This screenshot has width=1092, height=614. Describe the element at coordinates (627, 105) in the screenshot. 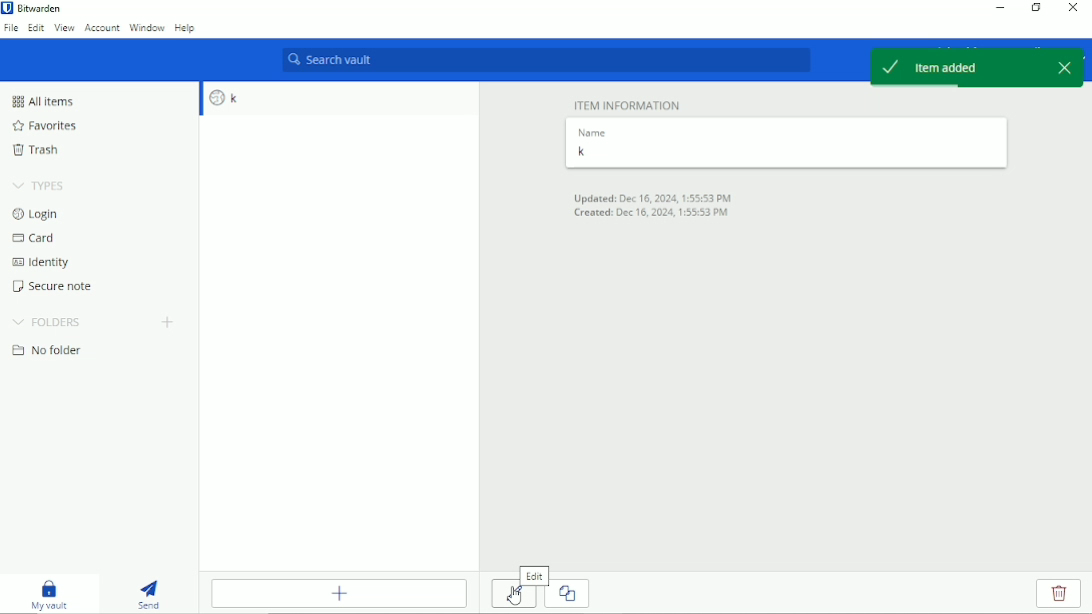

I see `Item information` at that location.